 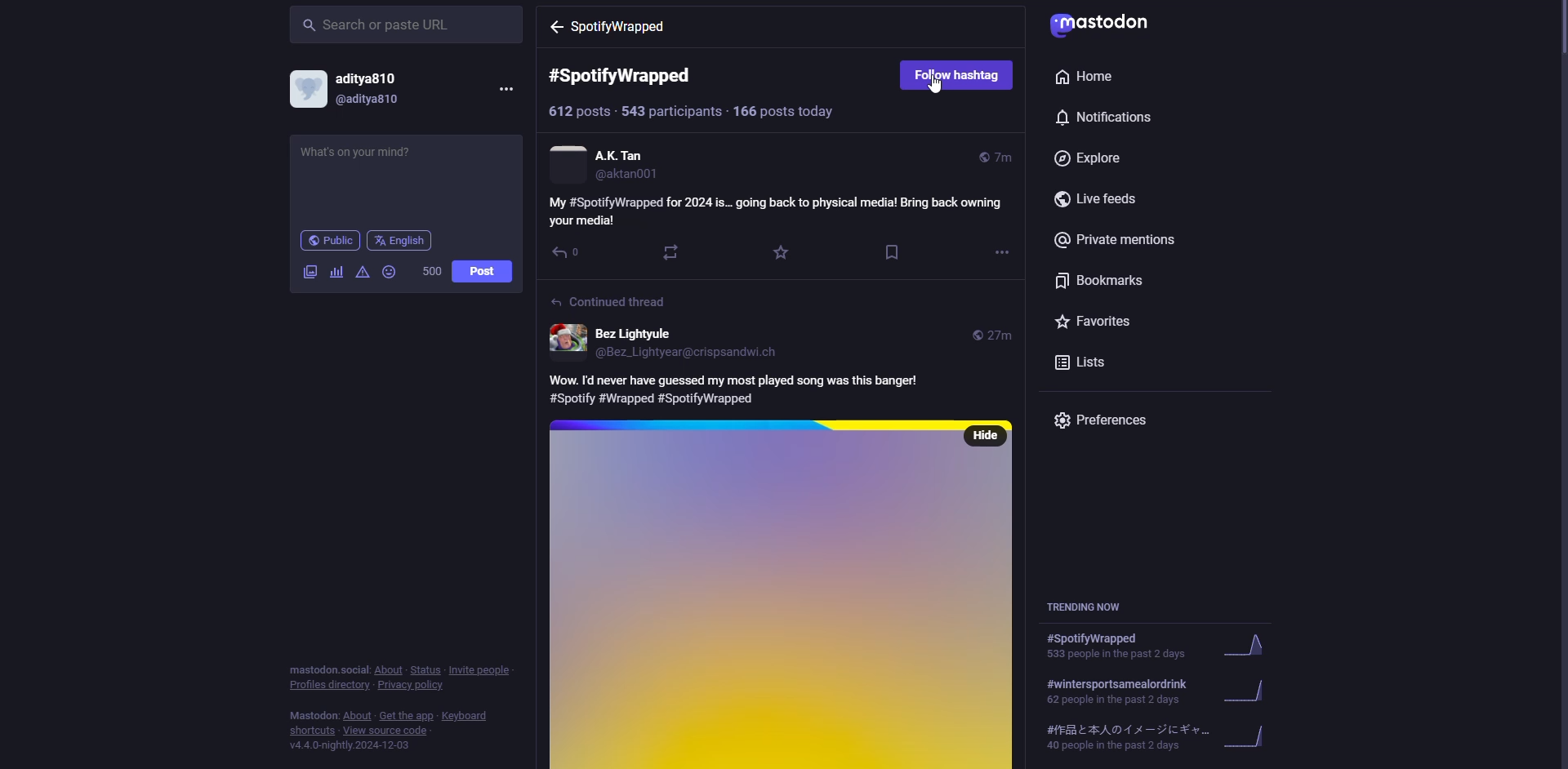 I want to click on private mentions, so click(x=1120, y=241).